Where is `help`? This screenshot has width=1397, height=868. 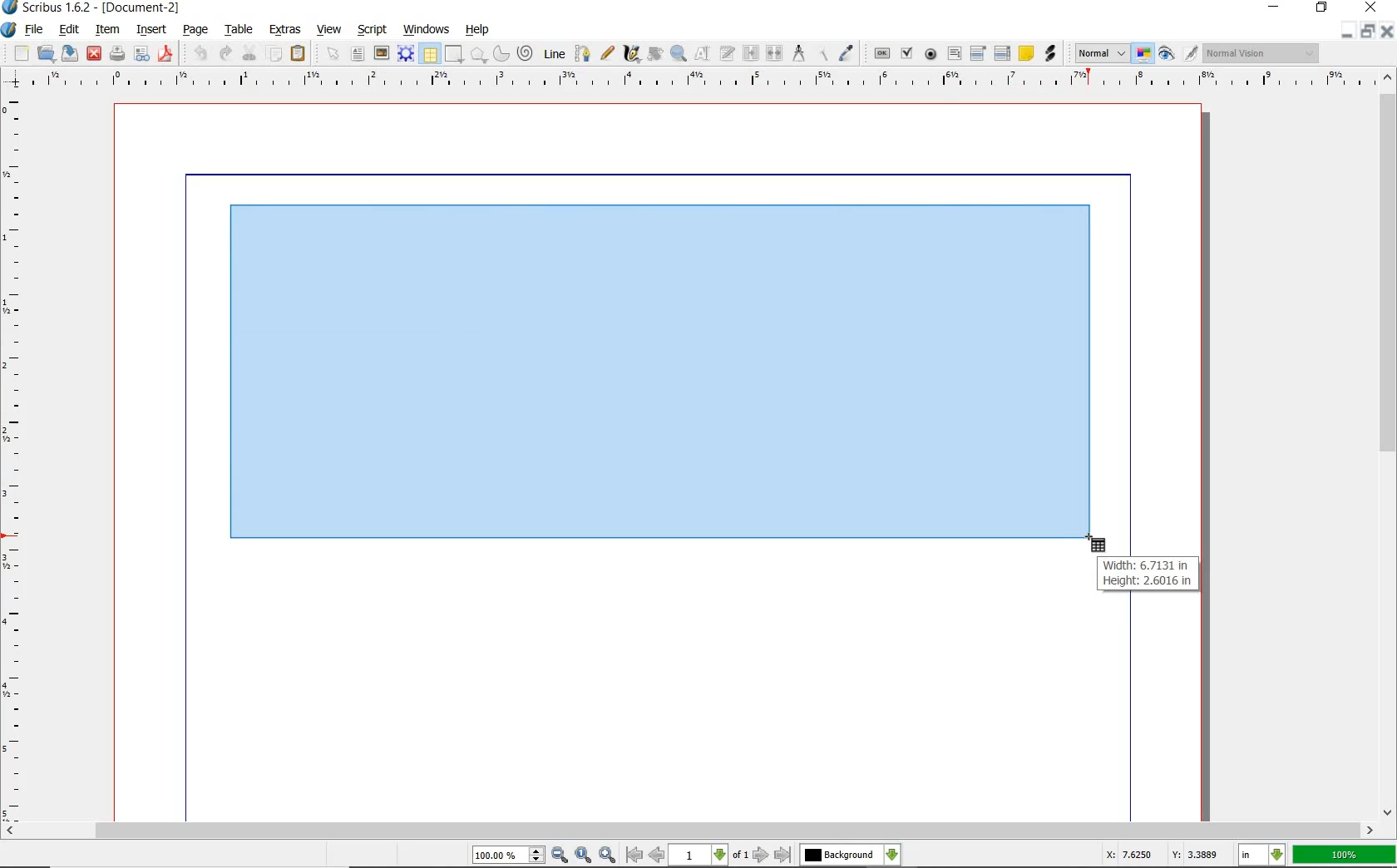
help is located at coordinates (480, 32).